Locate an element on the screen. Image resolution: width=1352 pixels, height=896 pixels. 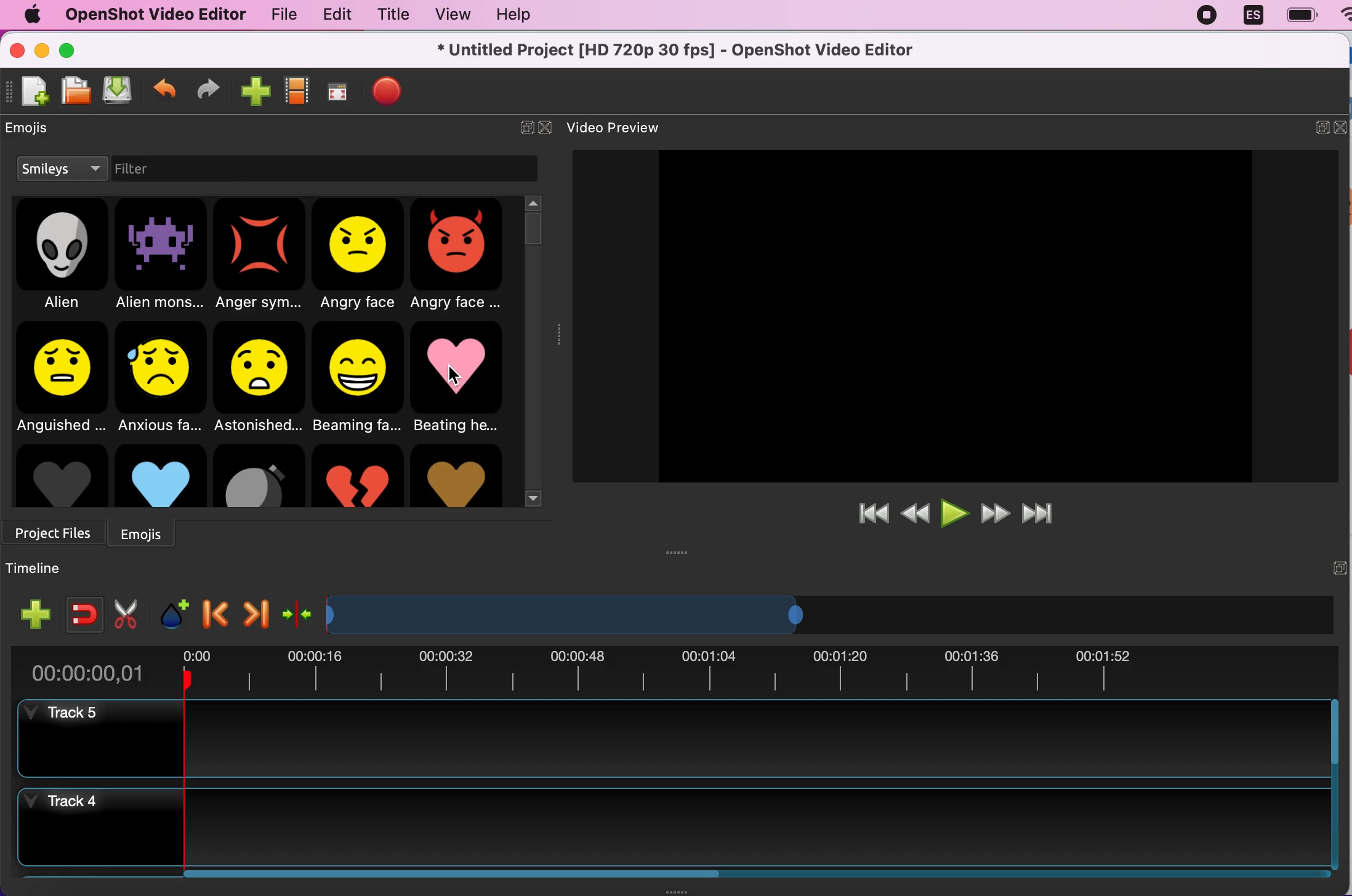
beaming is located at coordinates (361, 378).